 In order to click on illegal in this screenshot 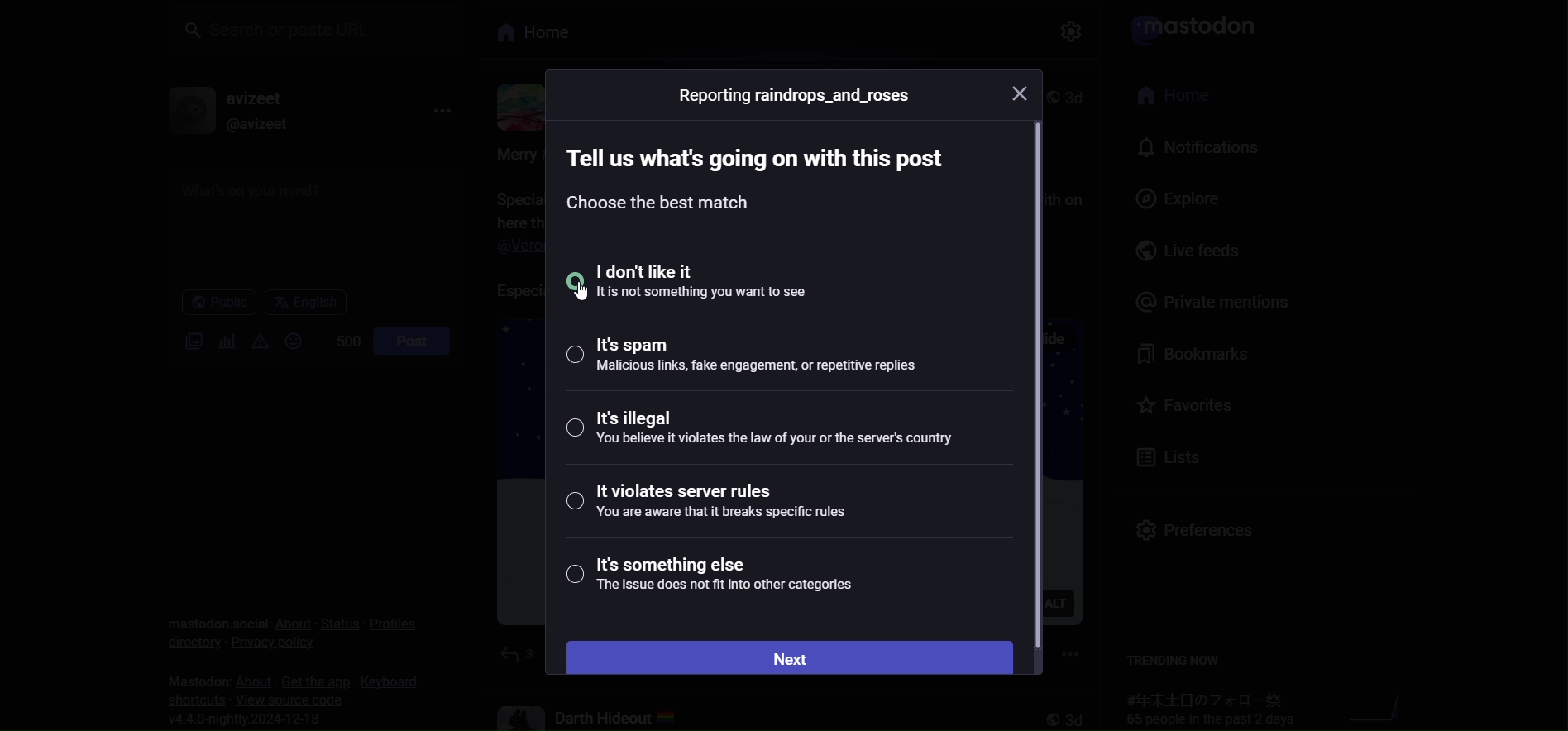, I will do `click(762, 426)`.